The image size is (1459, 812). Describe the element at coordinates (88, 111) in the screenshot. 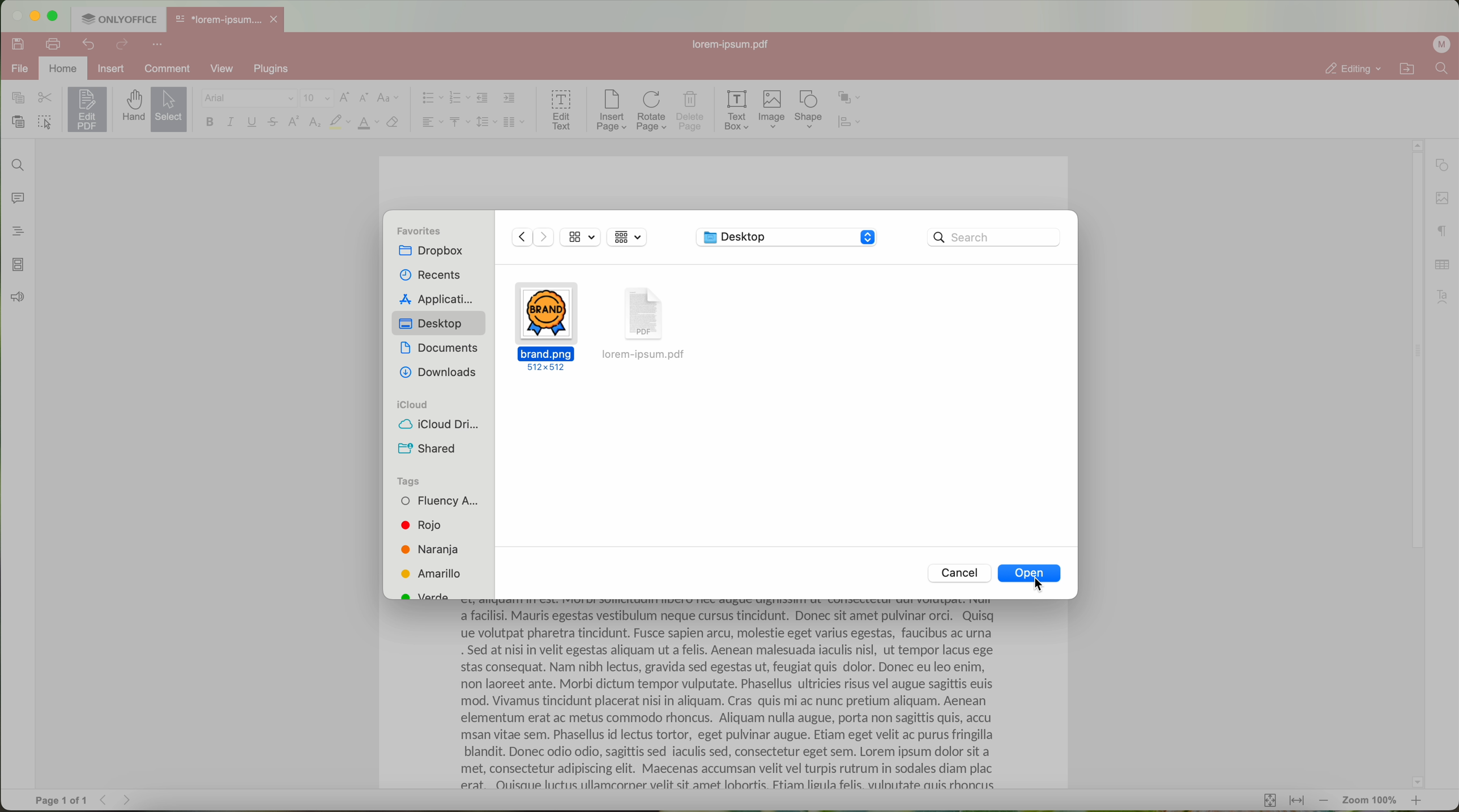

I see `click on edit PDF` at that location.